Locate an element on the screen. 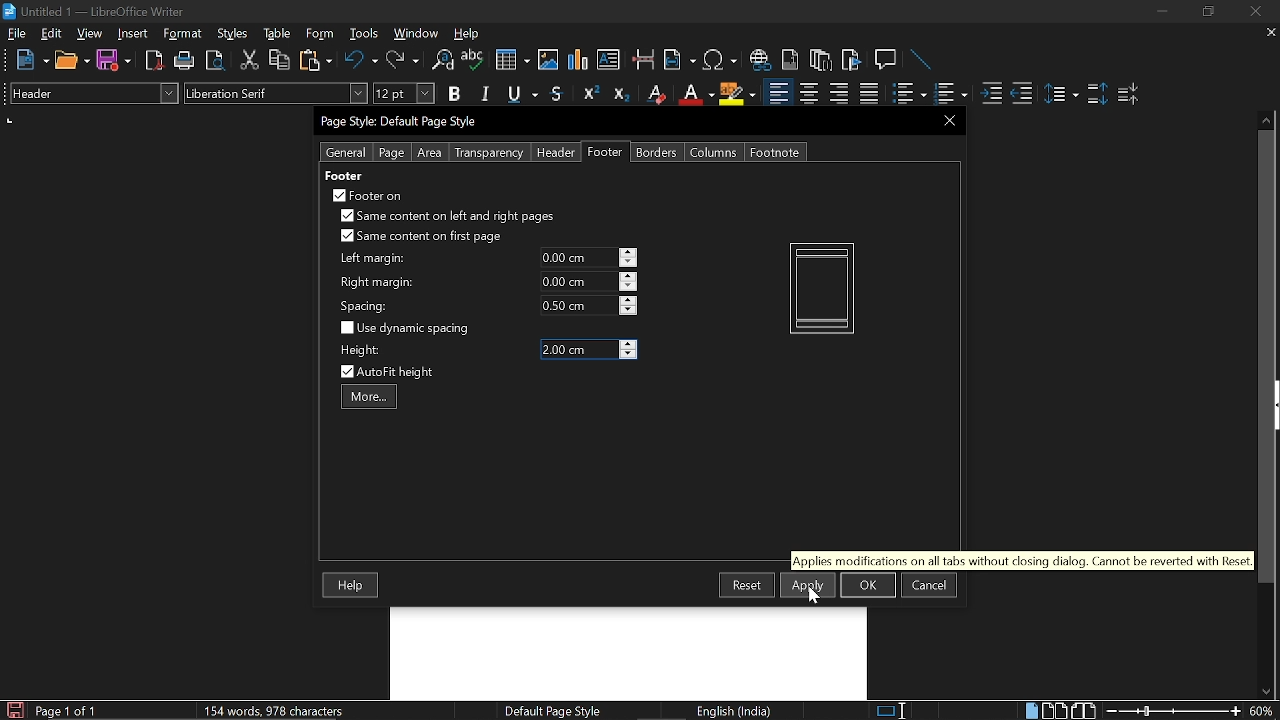 This screenshot has width=1280, height=720. Decrease indent is located at coordinates (1022, 93).